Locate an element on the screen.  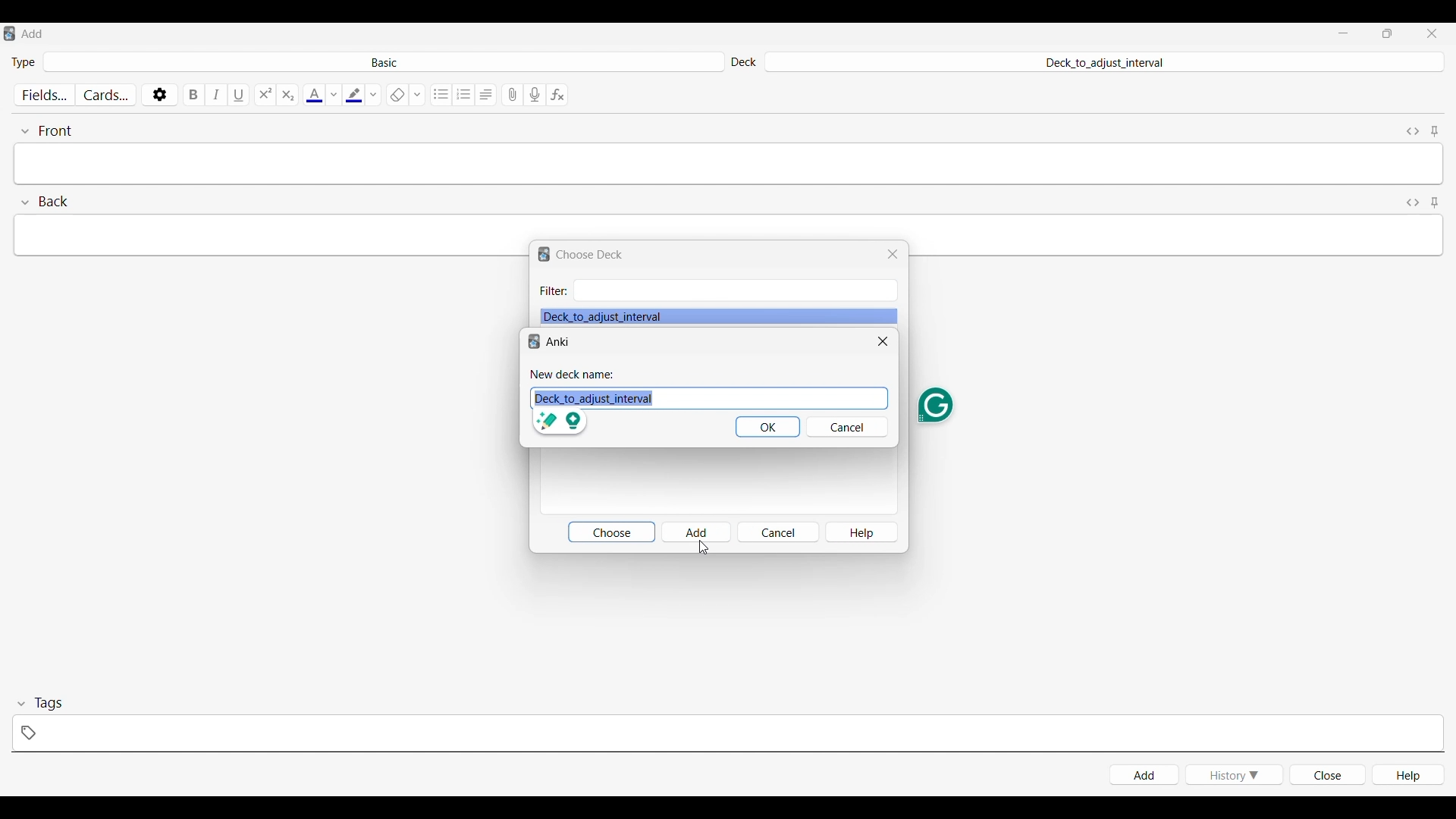
Collapse font field is located at coordinates (46, 131).